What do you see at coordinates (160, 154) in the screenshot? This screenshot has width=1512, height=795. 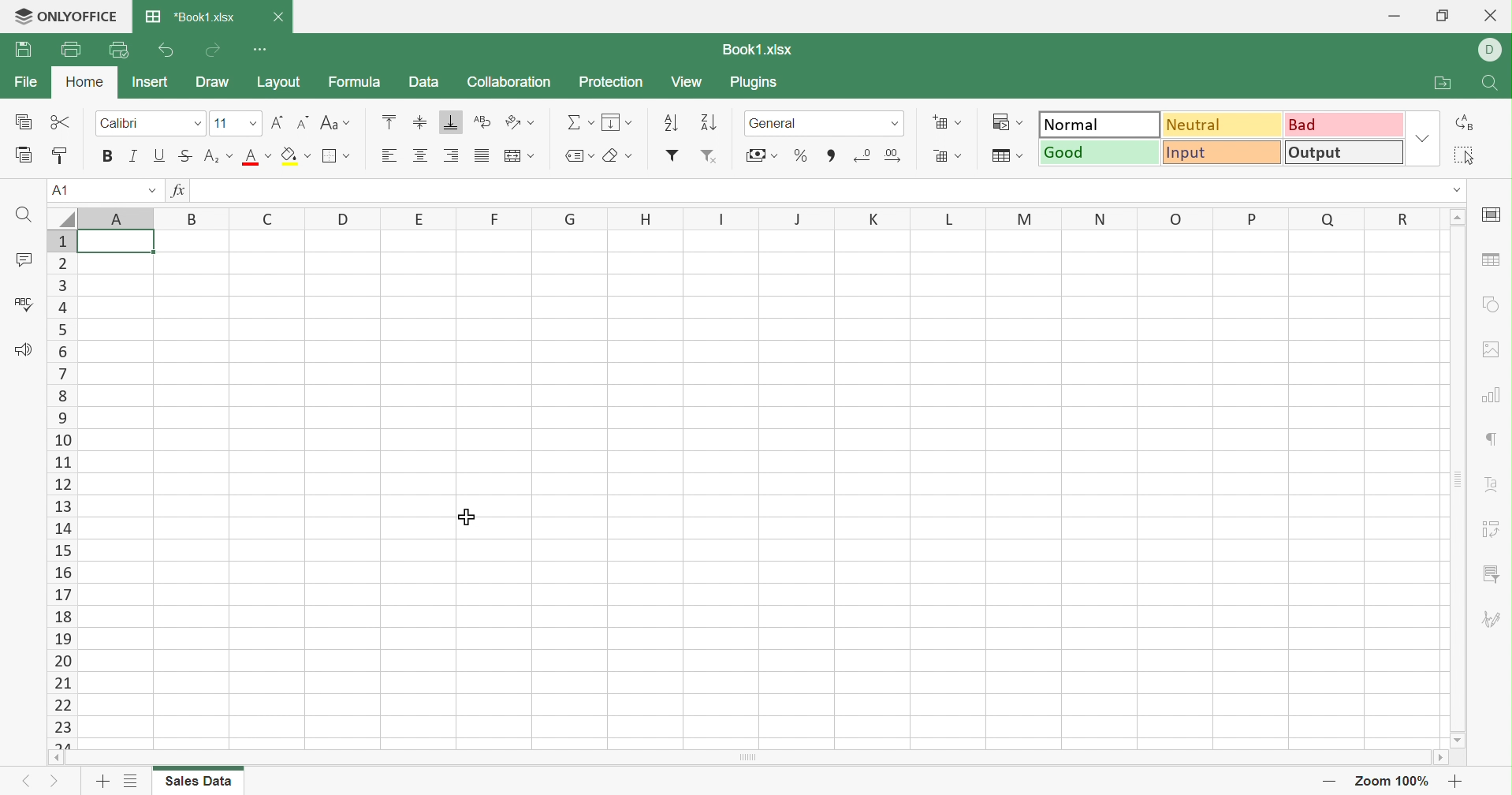 I see `Underline` at bounding box center [160, 154].